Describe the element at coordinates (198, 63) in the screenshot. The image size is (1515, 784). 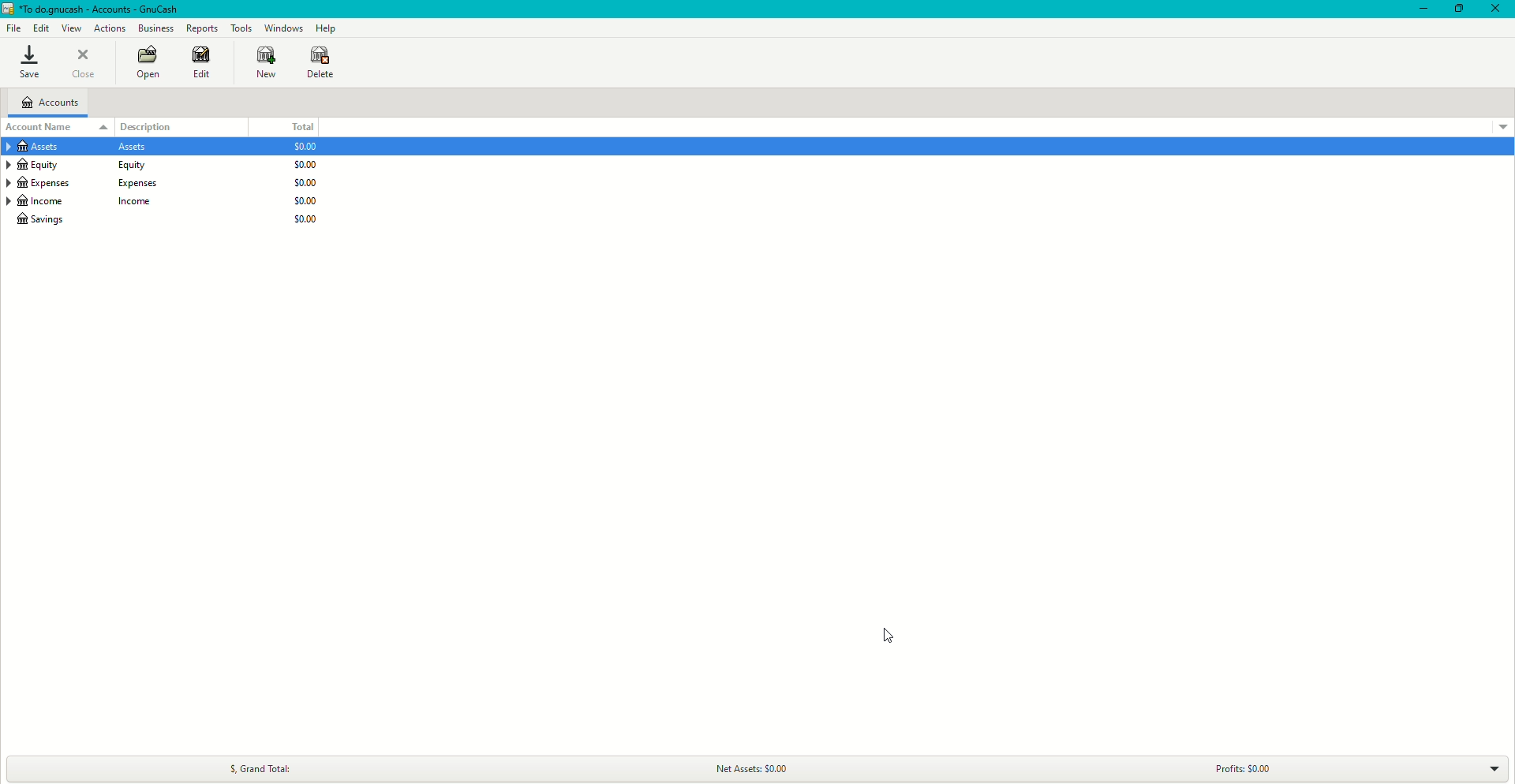
I see `Edit` at that location.